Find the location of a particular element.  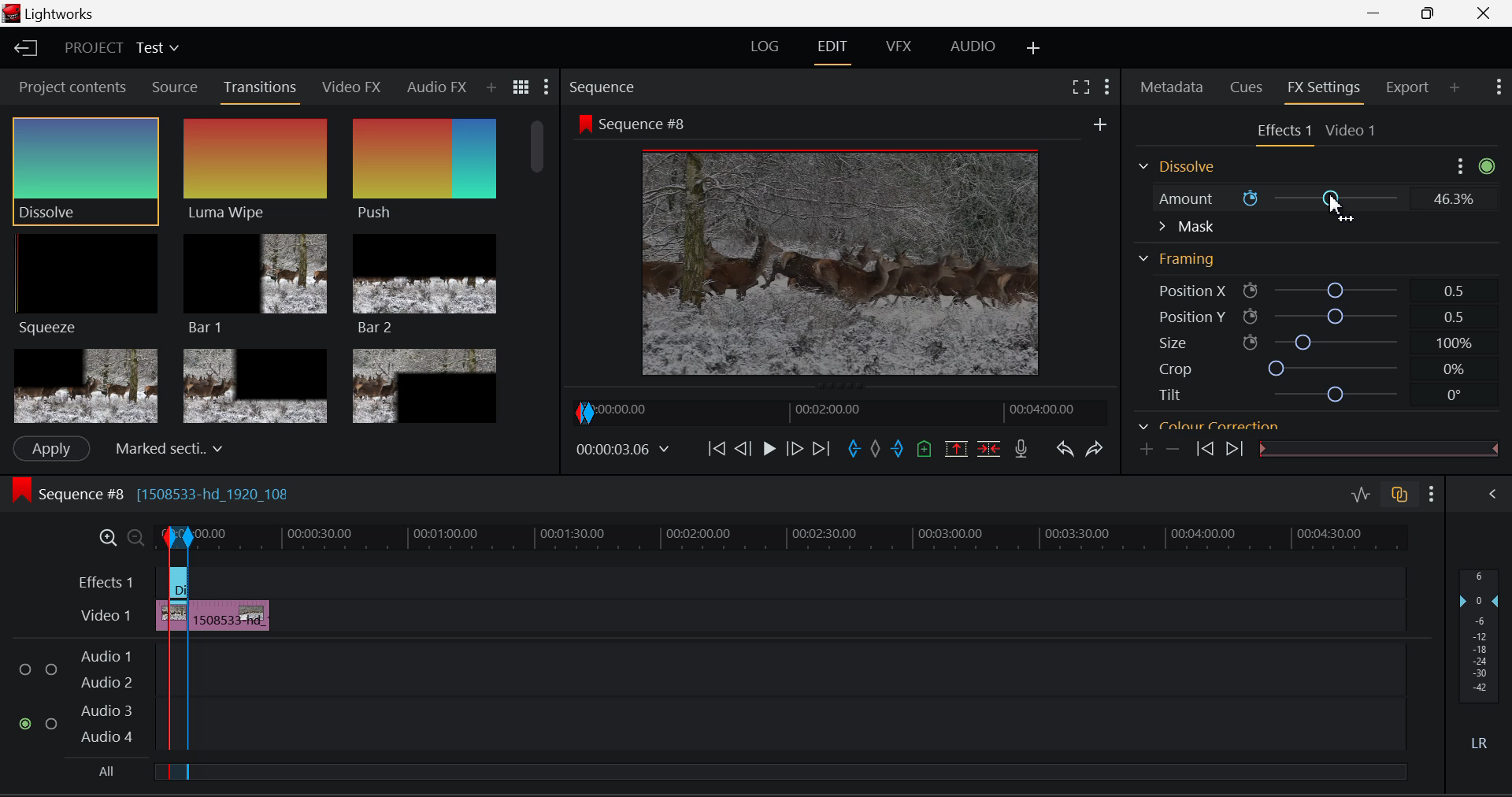

Delete keyframes is located at coordinates (1172, 448).